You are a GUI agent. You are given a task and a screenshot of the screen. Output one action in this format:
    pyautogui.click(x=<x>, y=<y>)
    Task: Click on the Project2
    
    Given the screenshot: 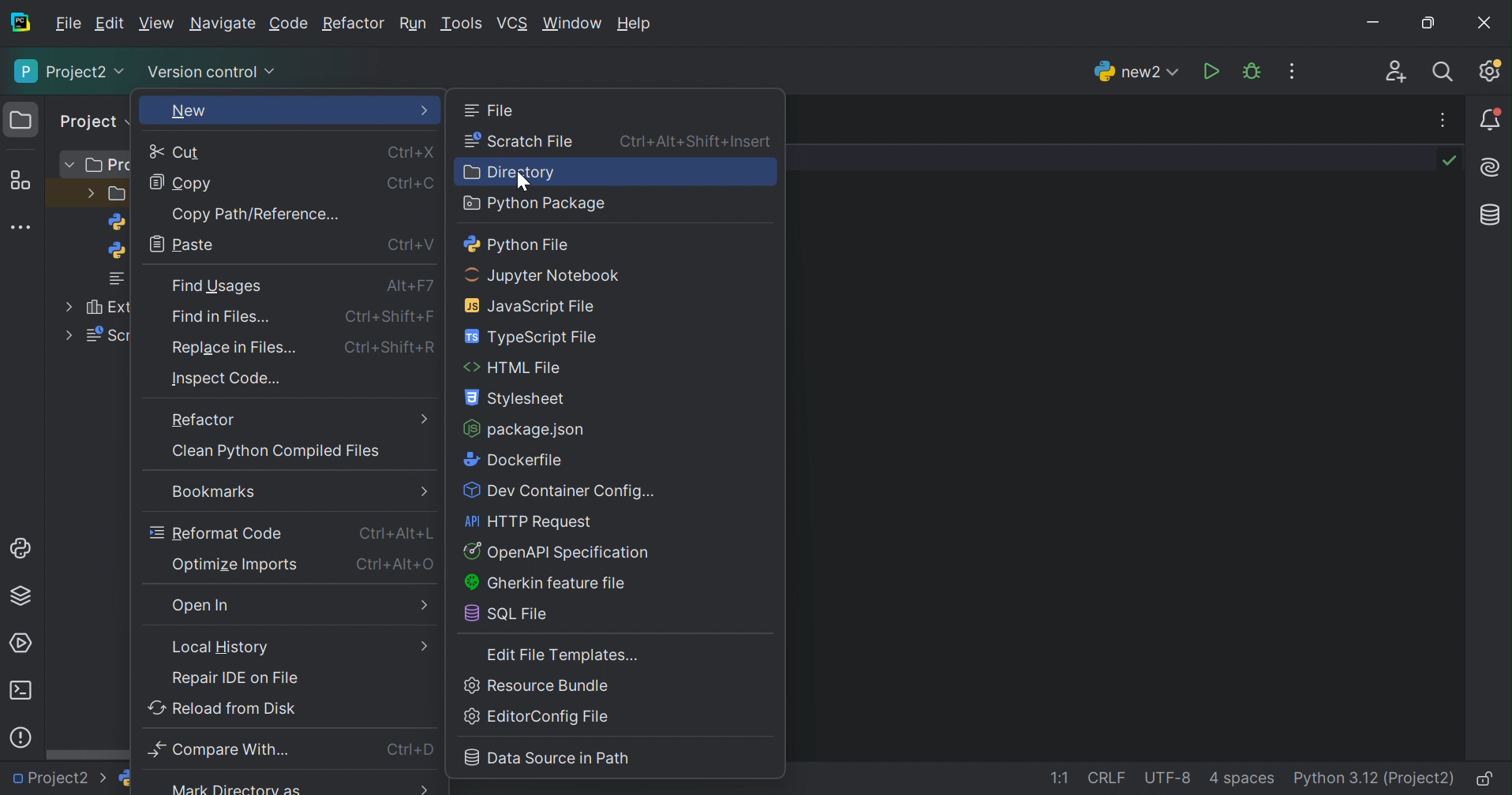 What is the action you would take?
    pyautogui.click(x=68, y=73)
    